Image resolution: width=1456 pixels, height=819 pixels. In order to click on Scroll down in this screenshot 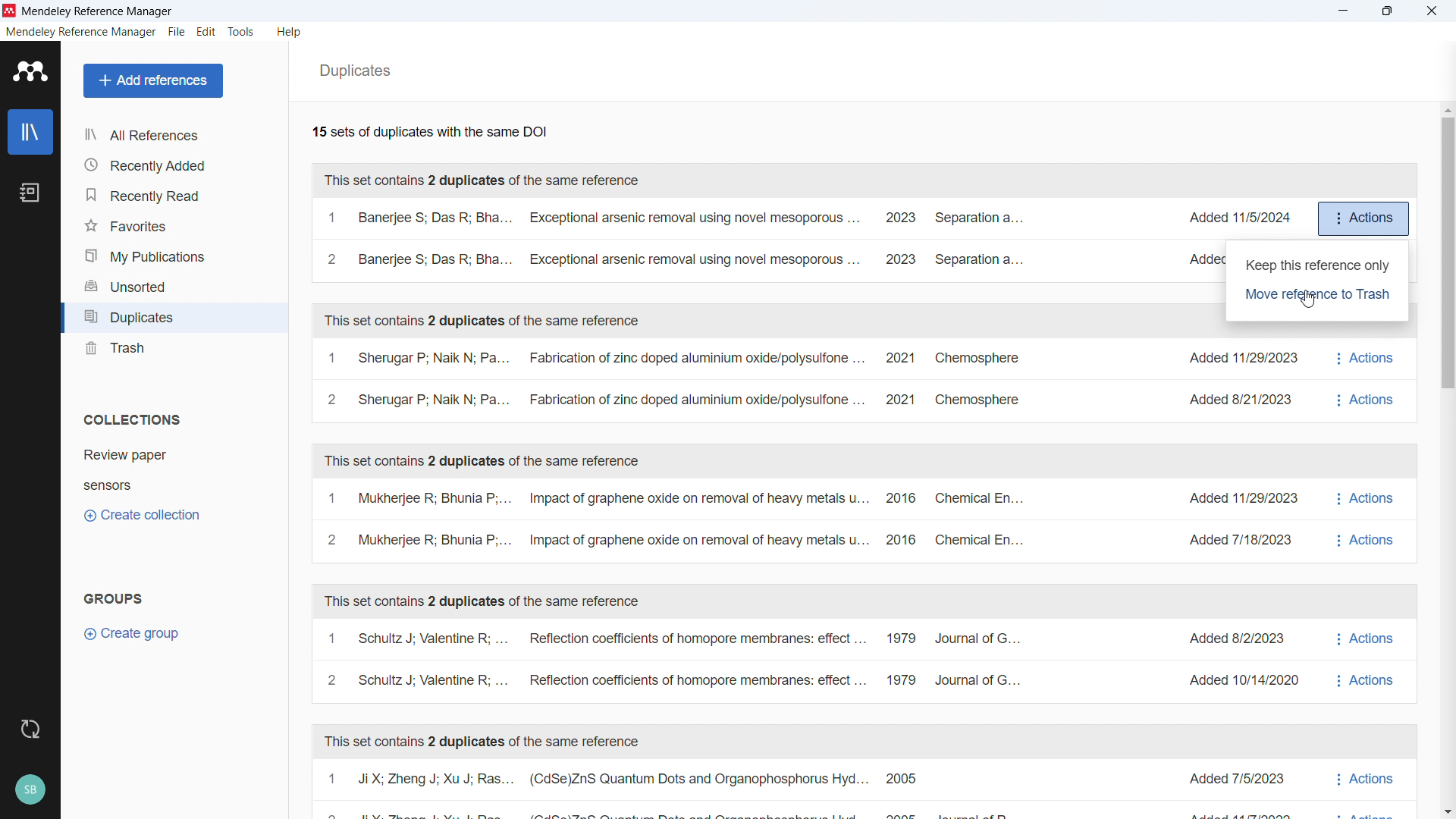, I will do `click(1447, 811)`.